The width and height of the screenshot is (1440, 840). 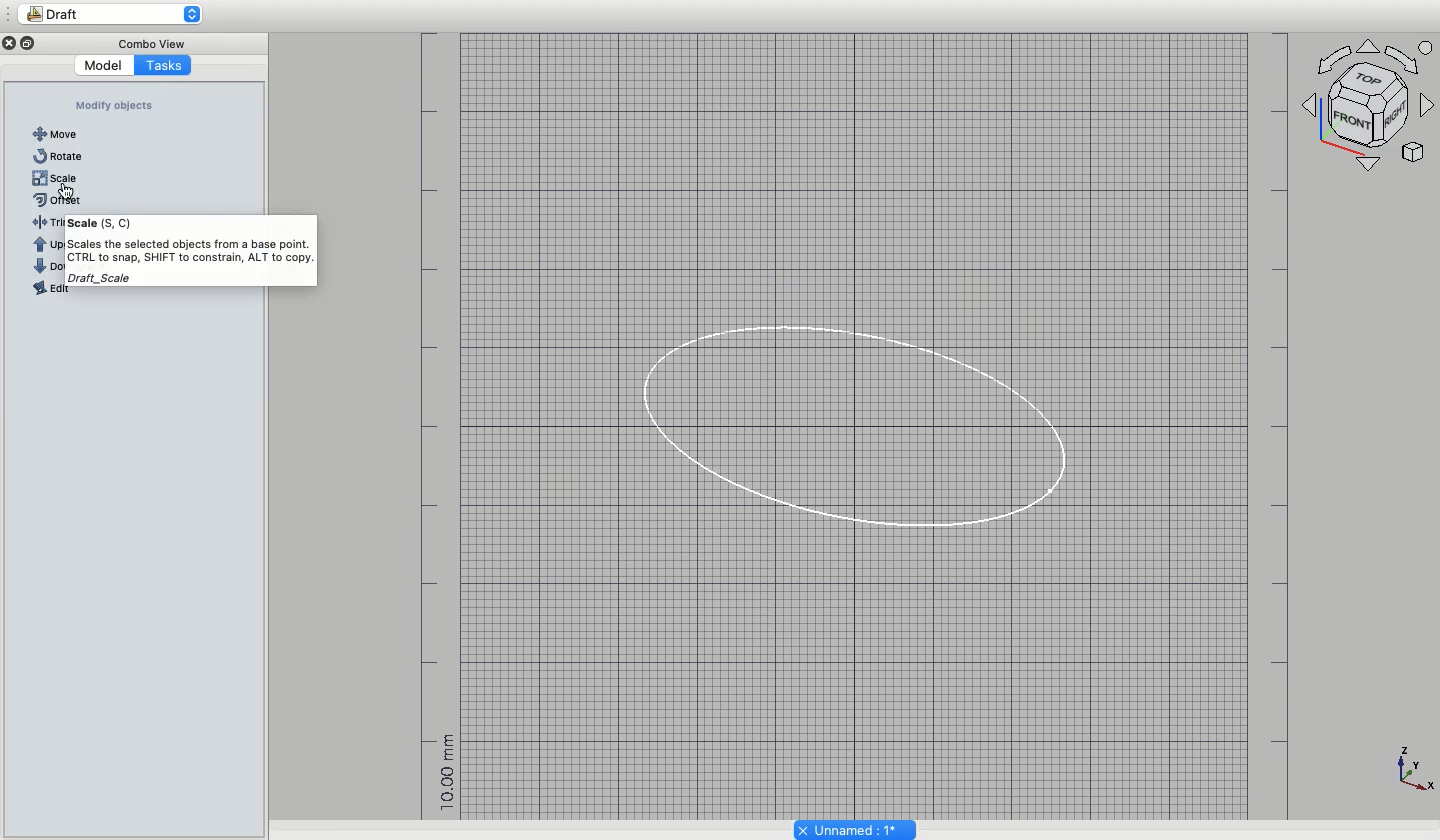 I want to click on Unnamed: 1, so click(x=856, y=828).